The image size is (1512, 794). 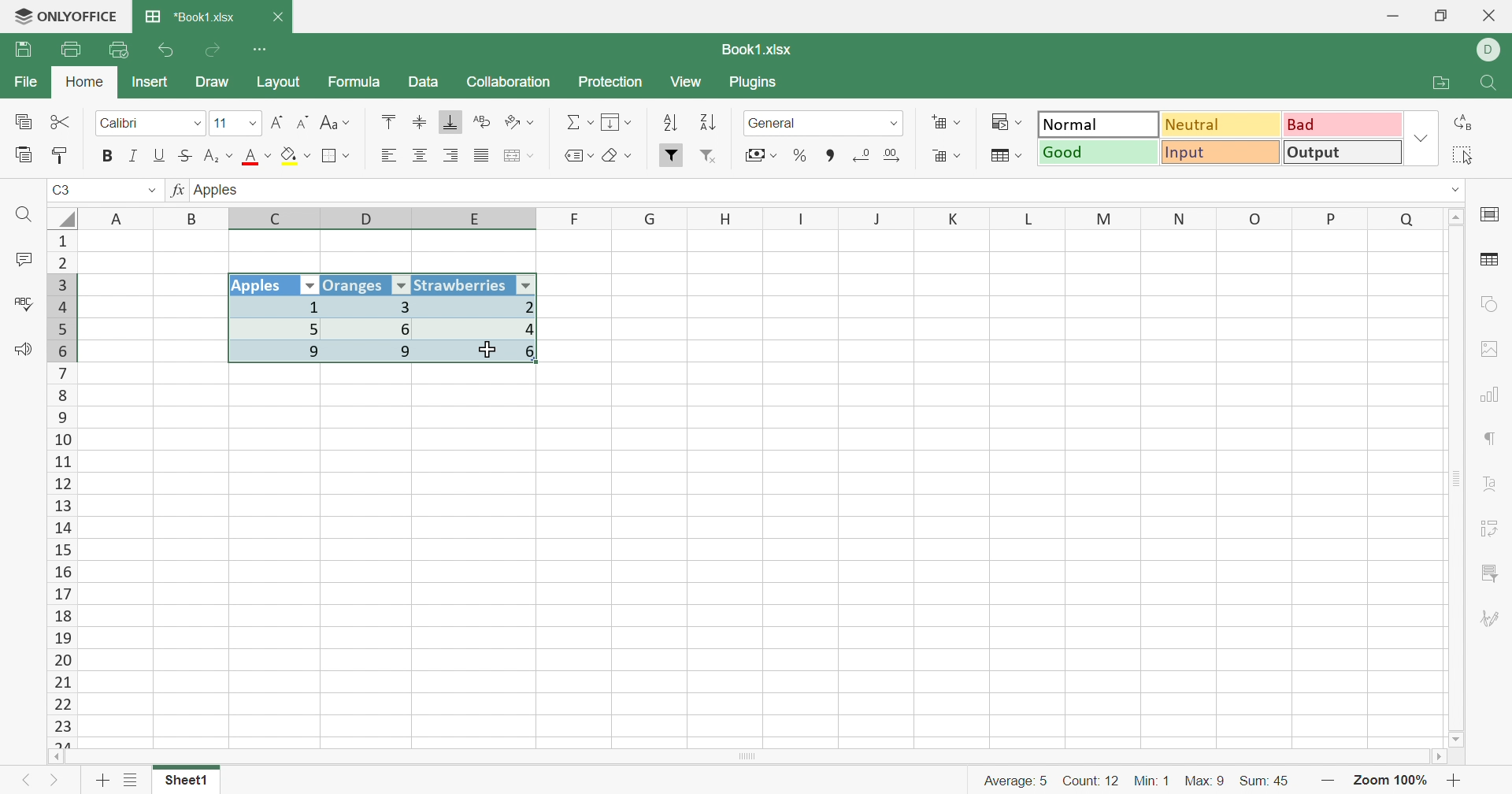 I want to click on Increase decimals, so click(x=899, y=155).